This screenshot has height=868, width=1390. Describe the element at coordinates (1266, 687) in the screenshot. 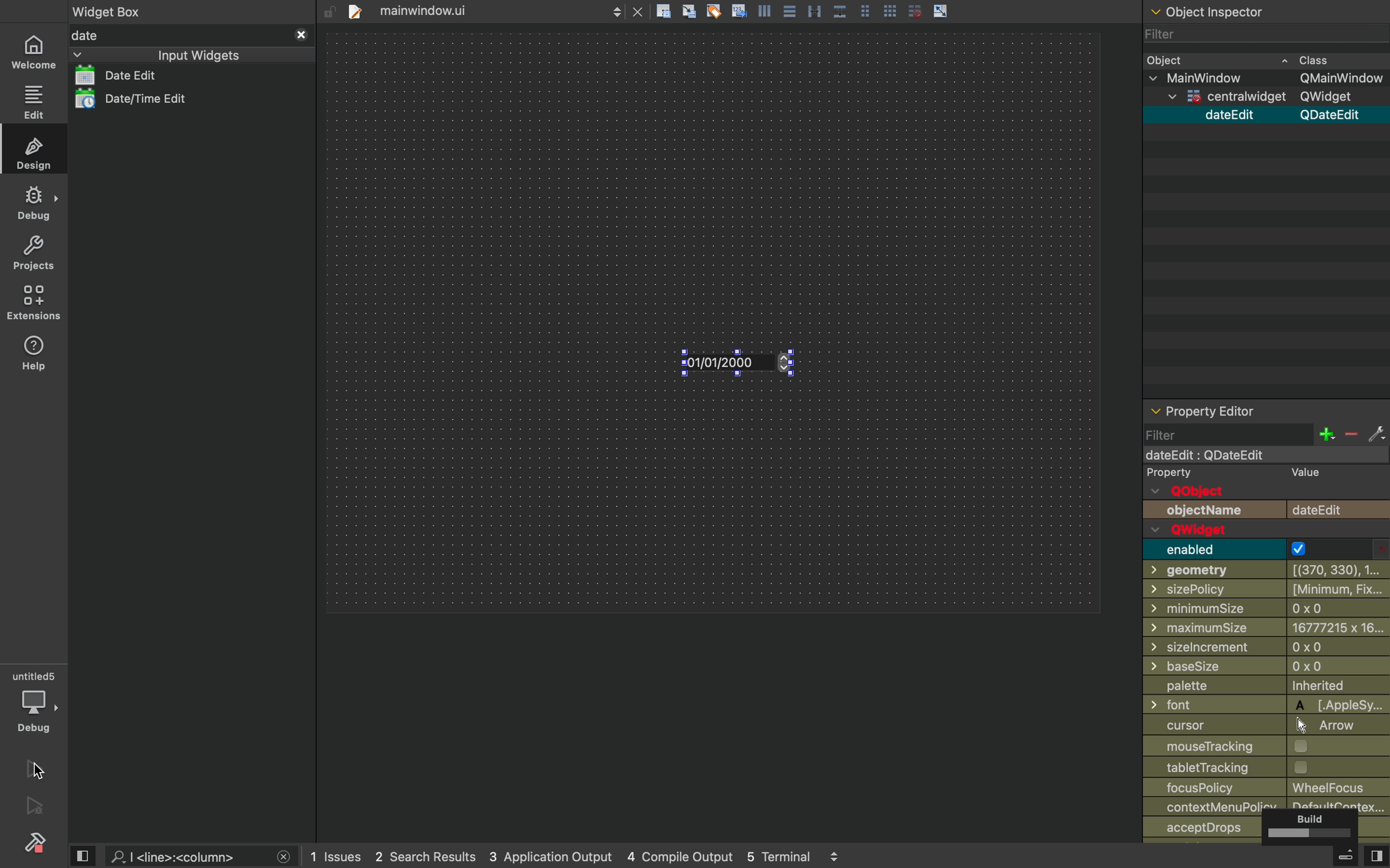

I see `palette` at that location.